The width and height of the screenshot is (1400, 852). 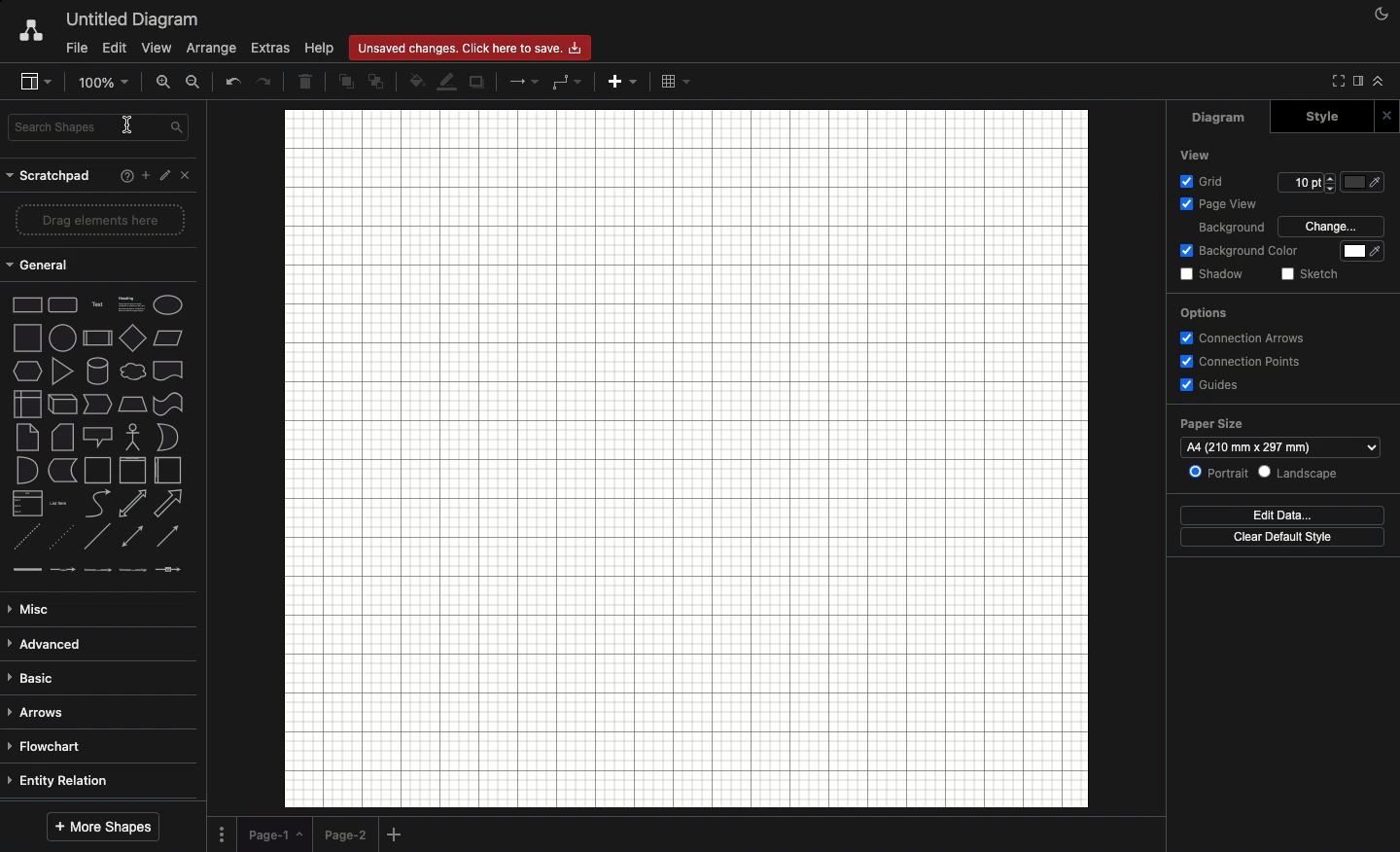 I want to click on Table, so click(x=675, y=81).